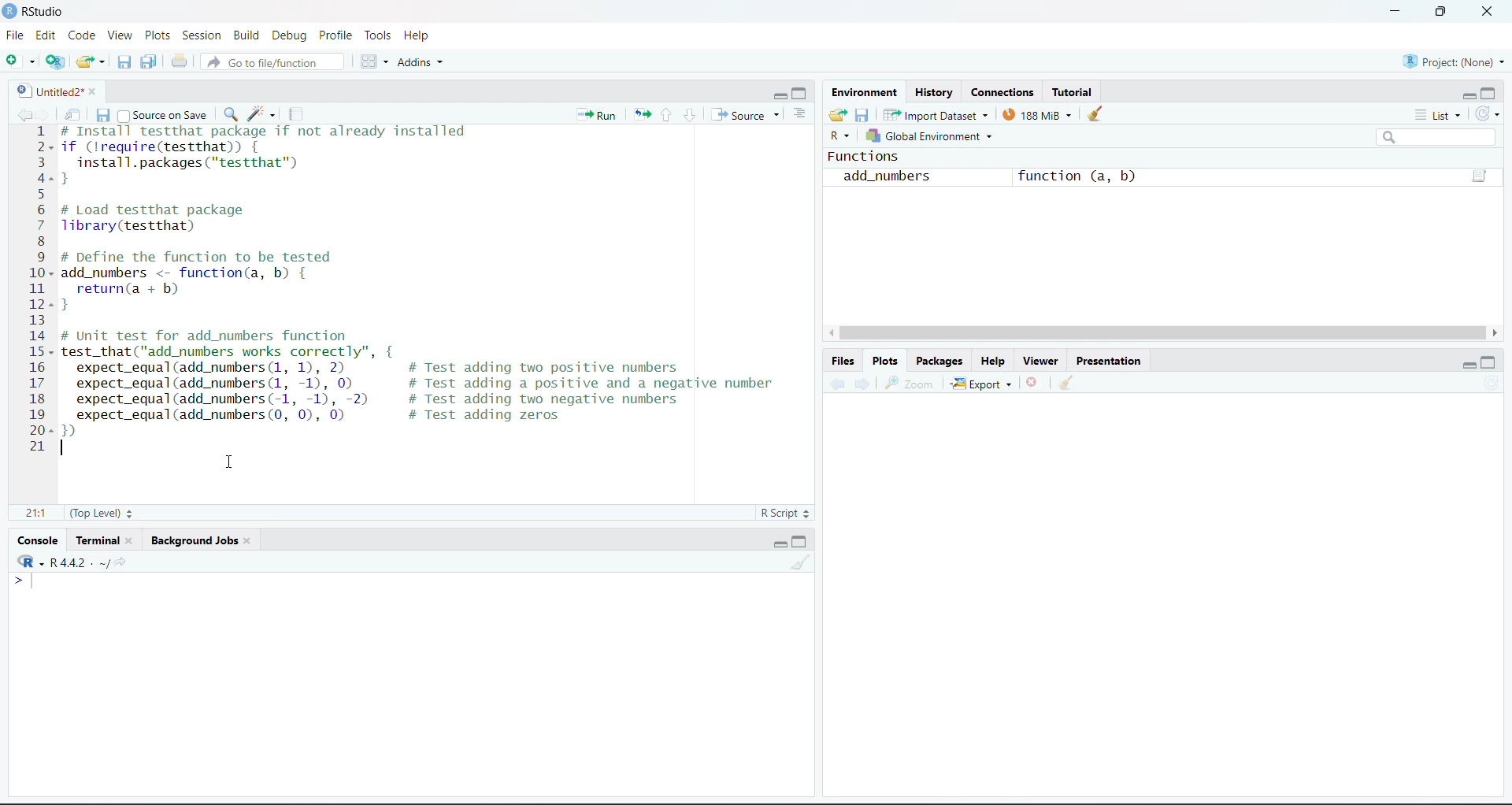 The width and height of the screenshot is (1512, 805). Describe the element at coordinates (91, 61) in the screenshot. I see `open an existing file` at that location.